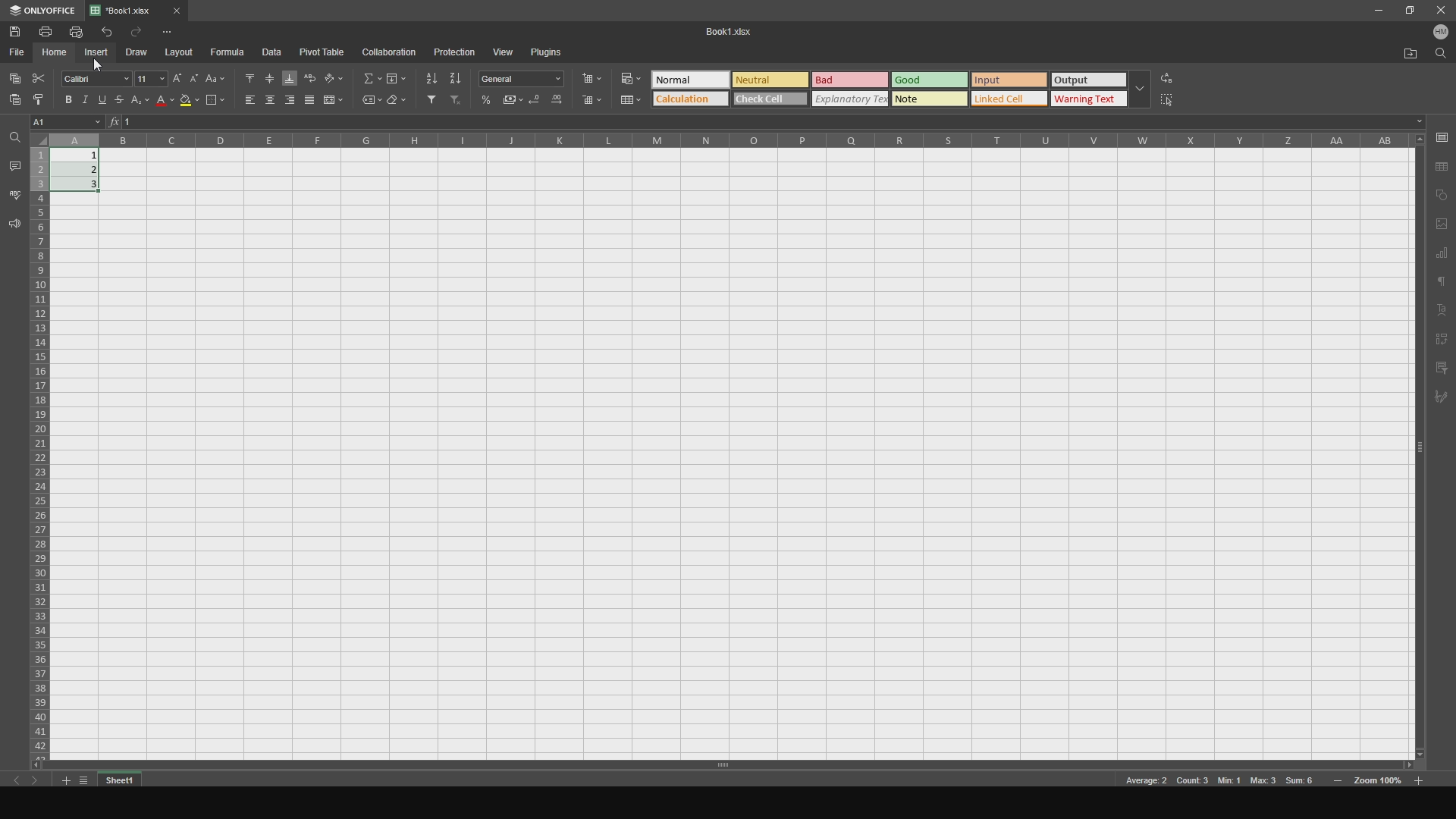 The width and height of the screenshot is (1456, 819). Describe the element at coordinates (288, 101) in the screenshot. I see `align right` at that location.